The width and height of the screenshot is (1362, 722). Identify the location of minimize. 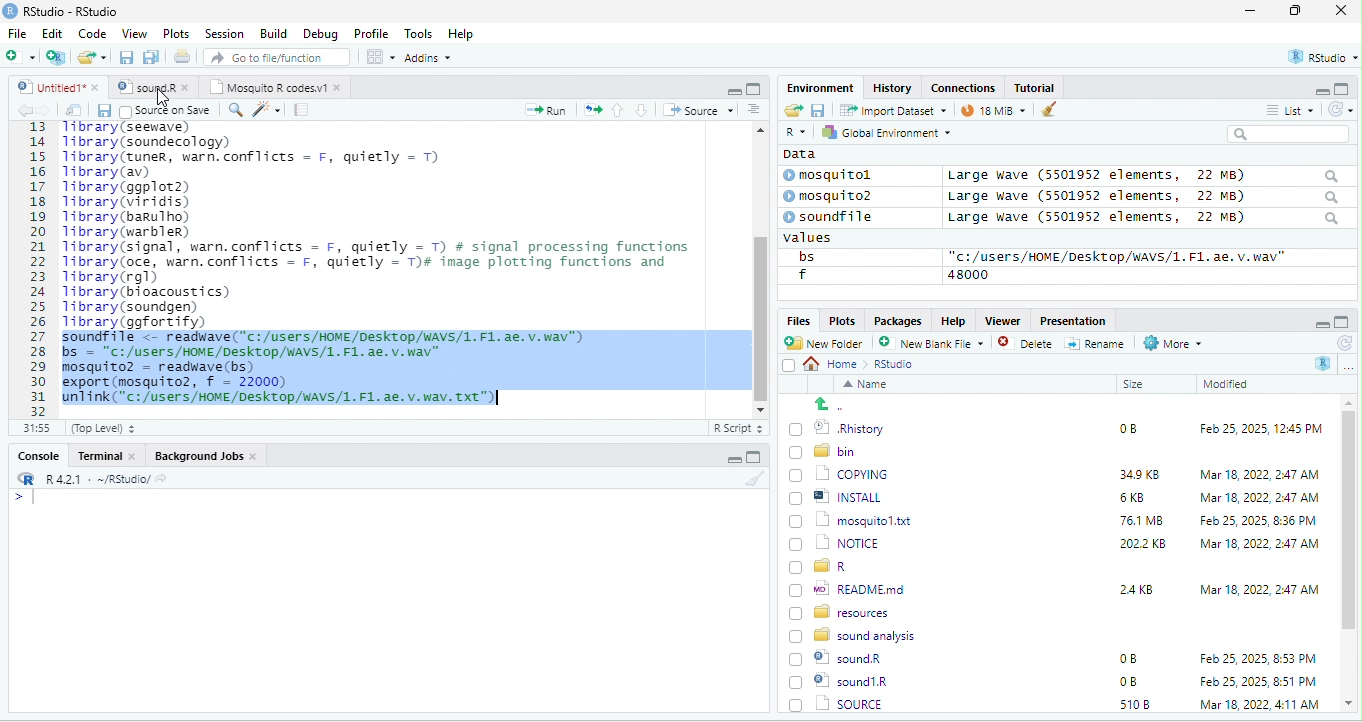
(1250, 12).